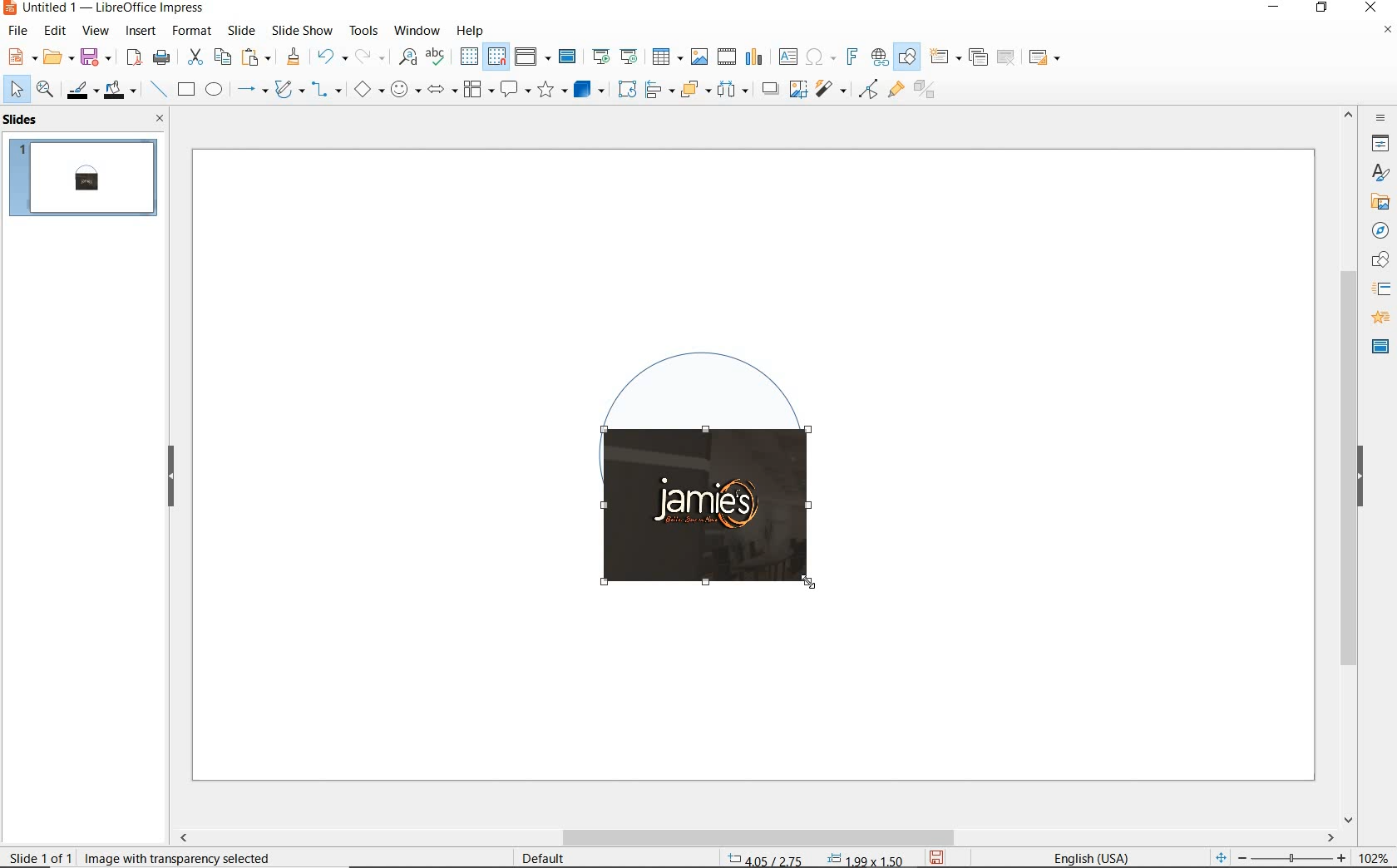 The width and height of the screenshot is (1397, 868). What do you see at coordinates (477, 91) in the screenshot?
I see `flowchart` at bounding box center [477, 91].